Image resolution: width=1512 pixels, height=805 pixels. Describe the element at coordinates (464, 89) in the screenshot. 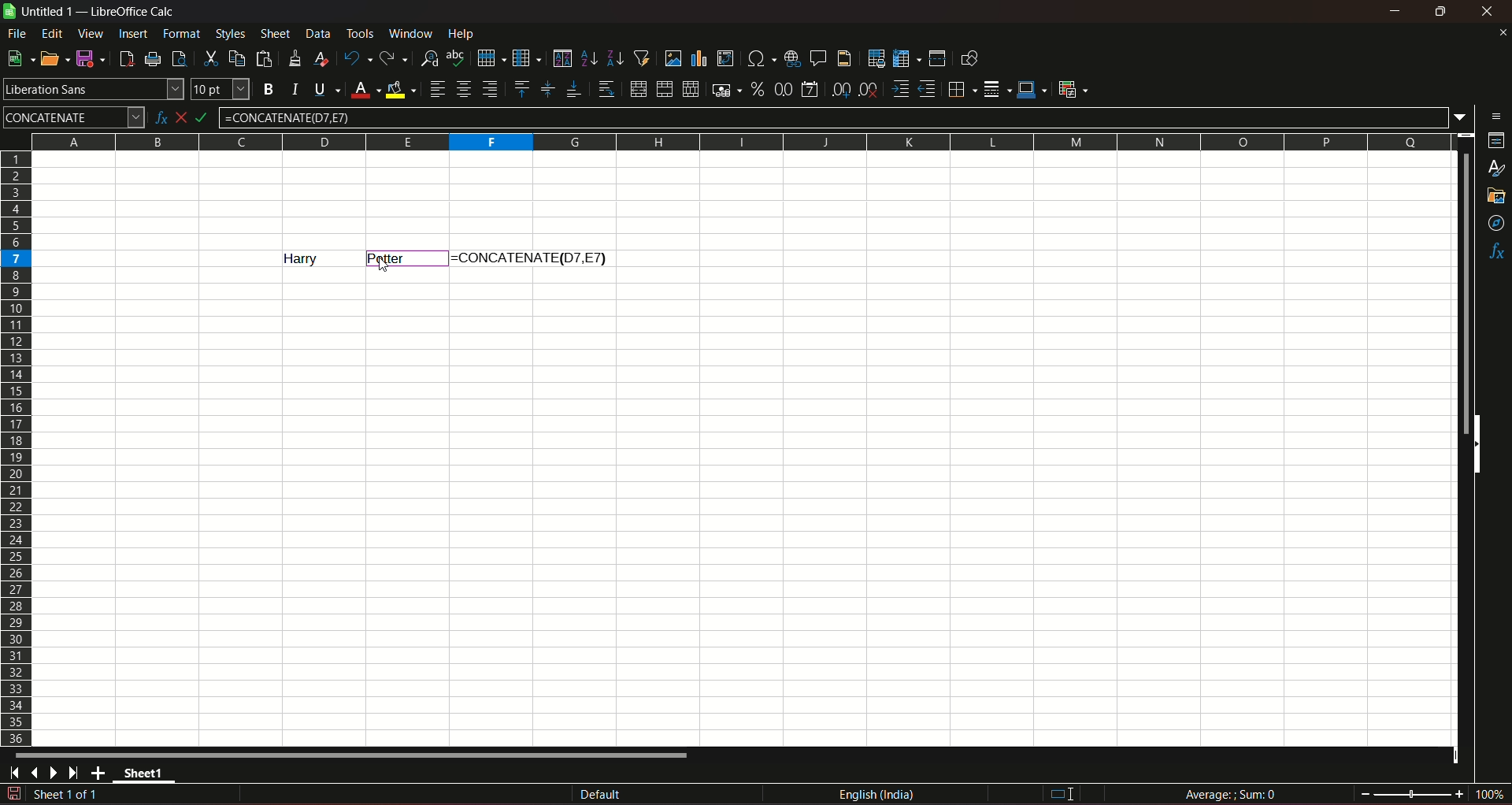

I see `align center` at that location.